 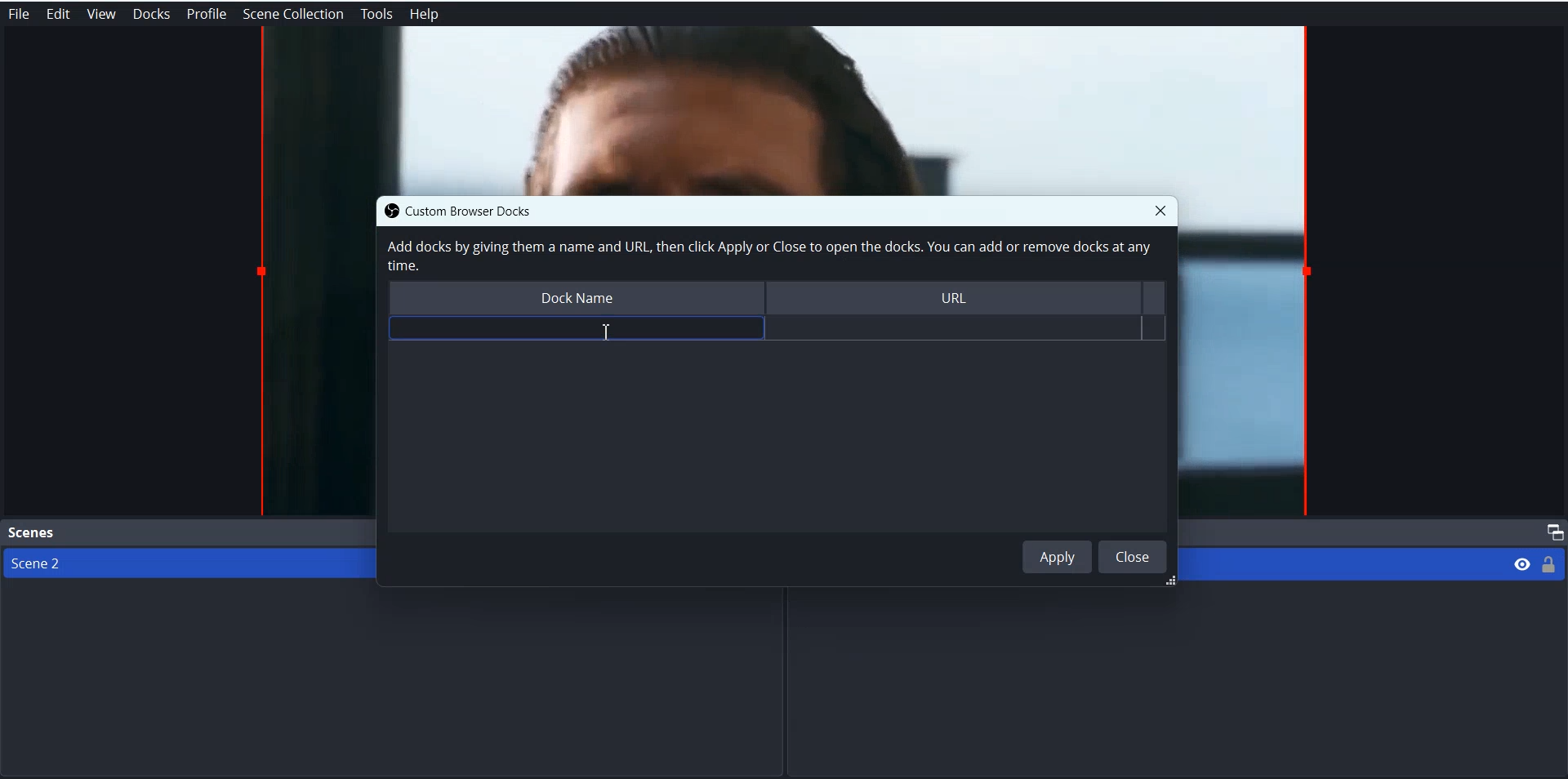 I want to click on OBS logo, so click(x=387, y=211).